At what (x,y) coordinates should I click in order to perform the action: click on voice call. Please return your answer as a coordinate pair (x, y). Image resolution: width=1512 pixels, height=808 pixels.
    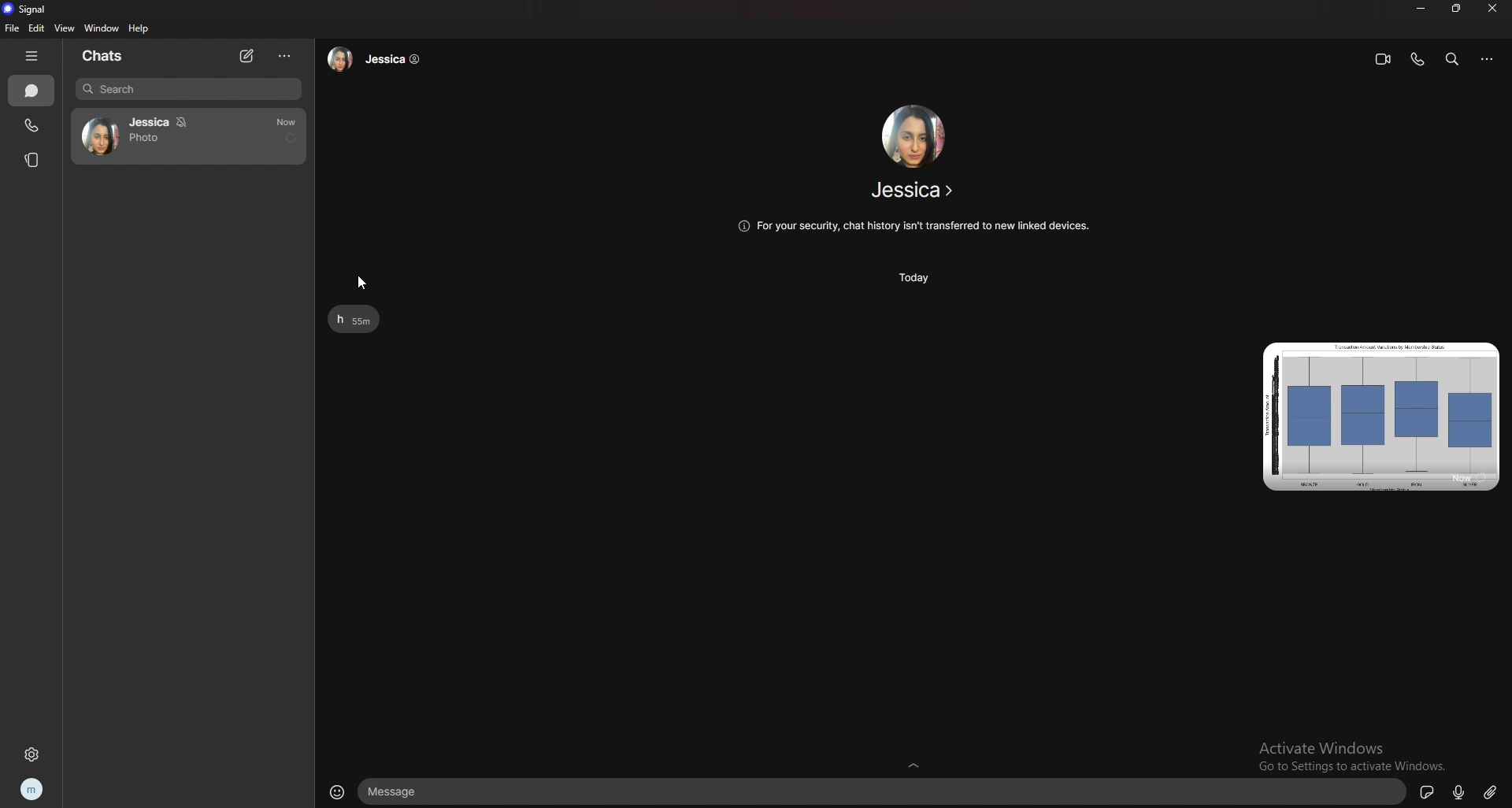
    Looking at the image, I should click on (1417, 60).